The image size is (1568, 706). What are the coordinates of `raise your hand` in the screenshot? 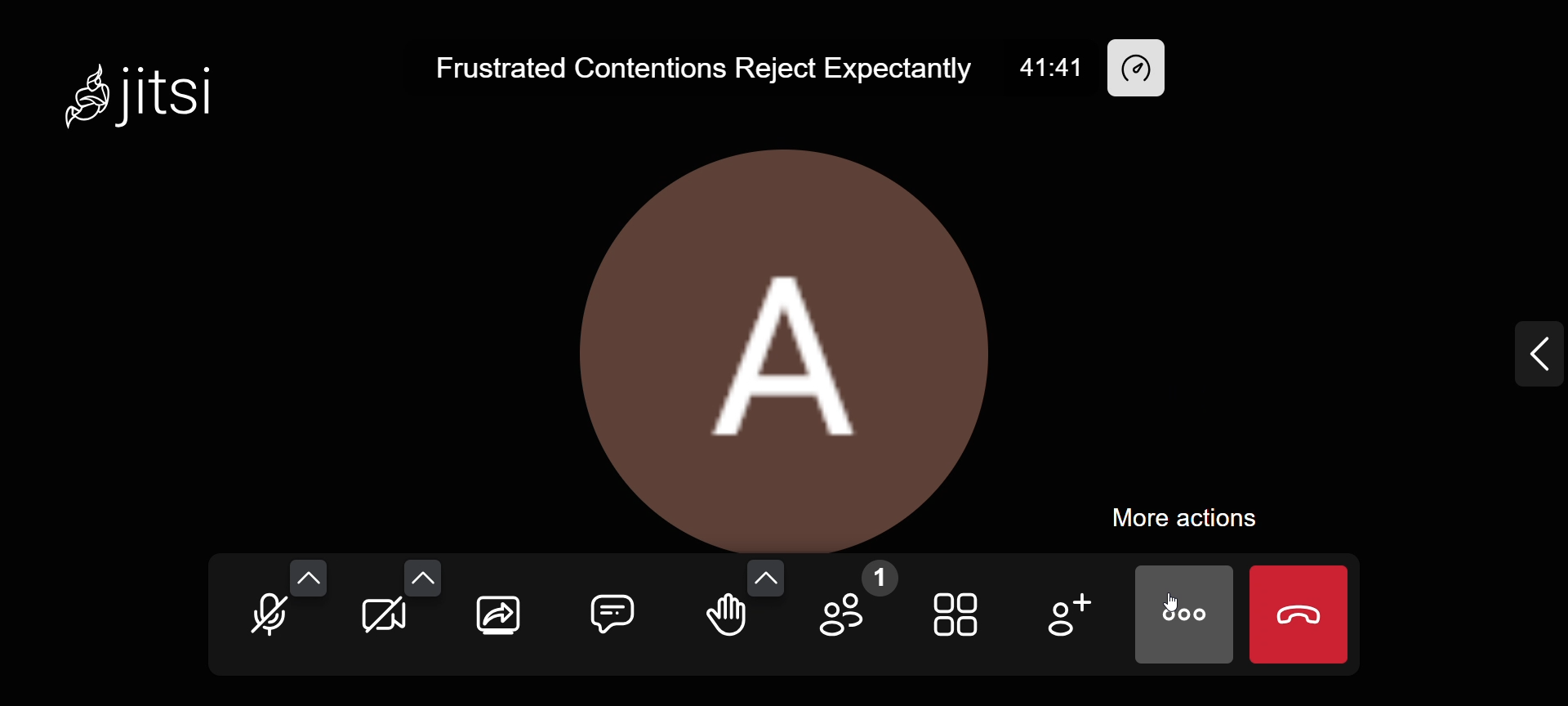 It's located at (724, 623).